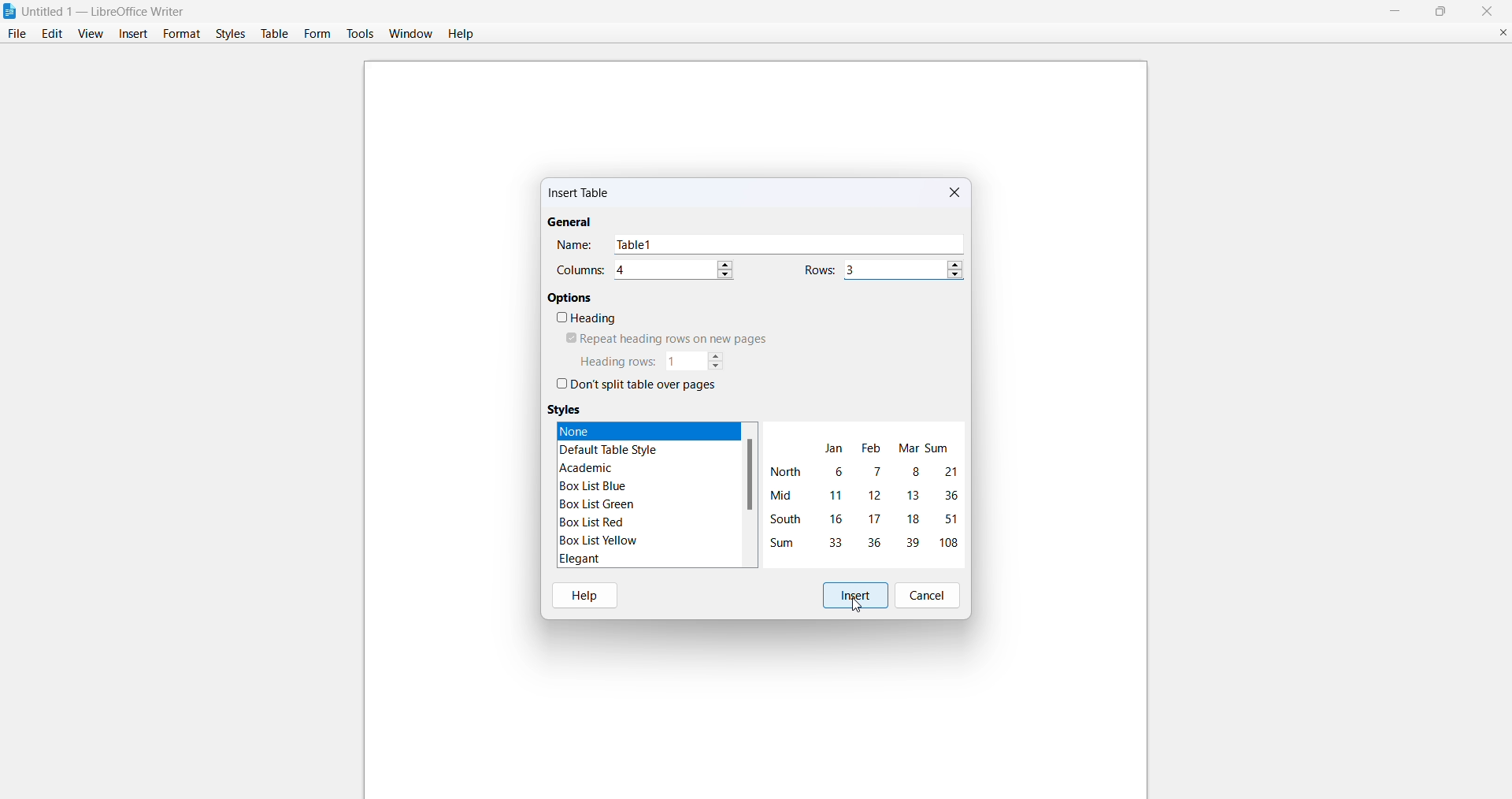 This screenshot has width=1512, height=799. I want to click on help, so click(463, 33).